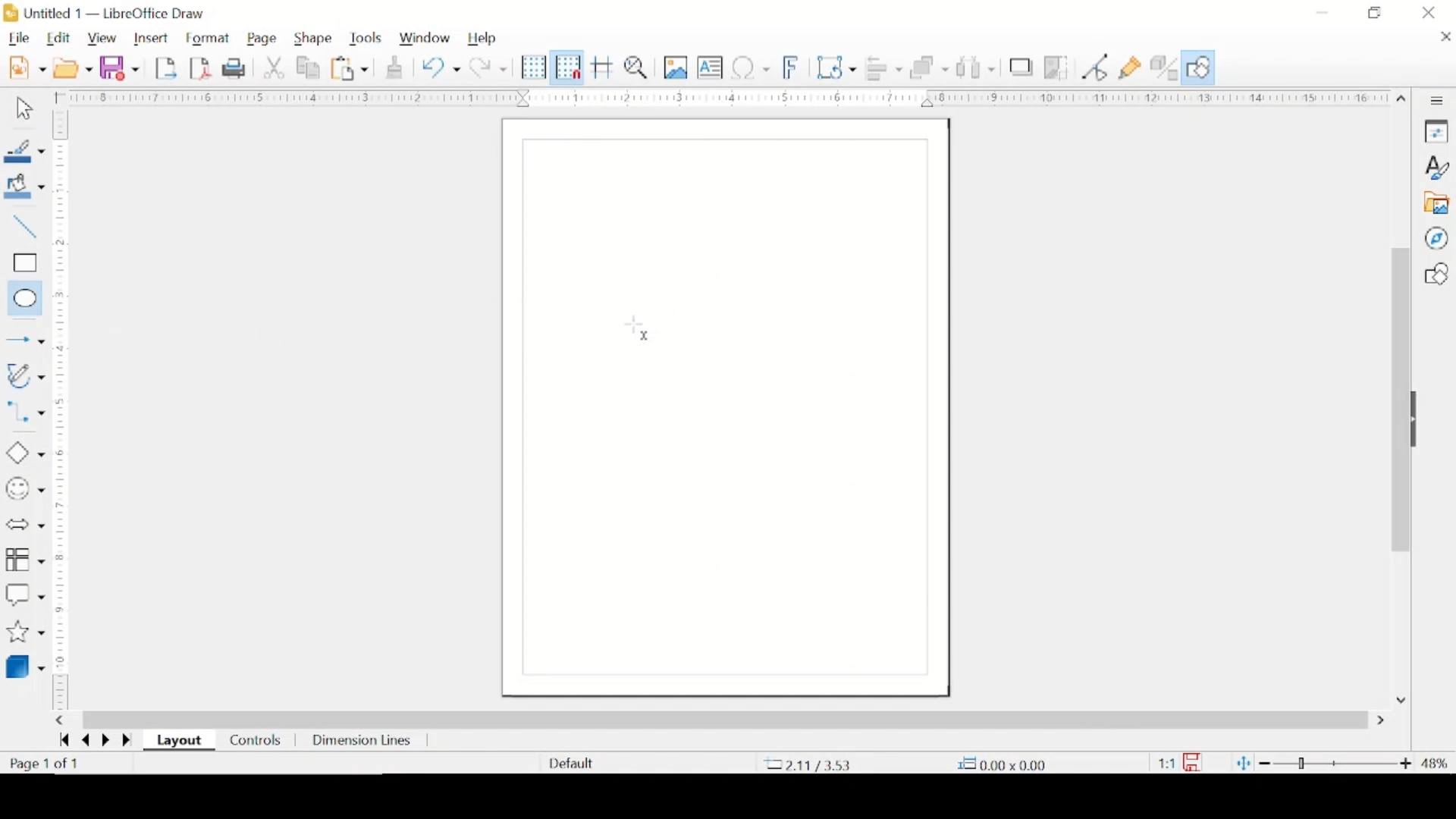 This screenshot has width=1456, height=819. What do you see at coordinates (807, 764) in the screenshot?
I see `coordinate` at bounding box center [807, 764].